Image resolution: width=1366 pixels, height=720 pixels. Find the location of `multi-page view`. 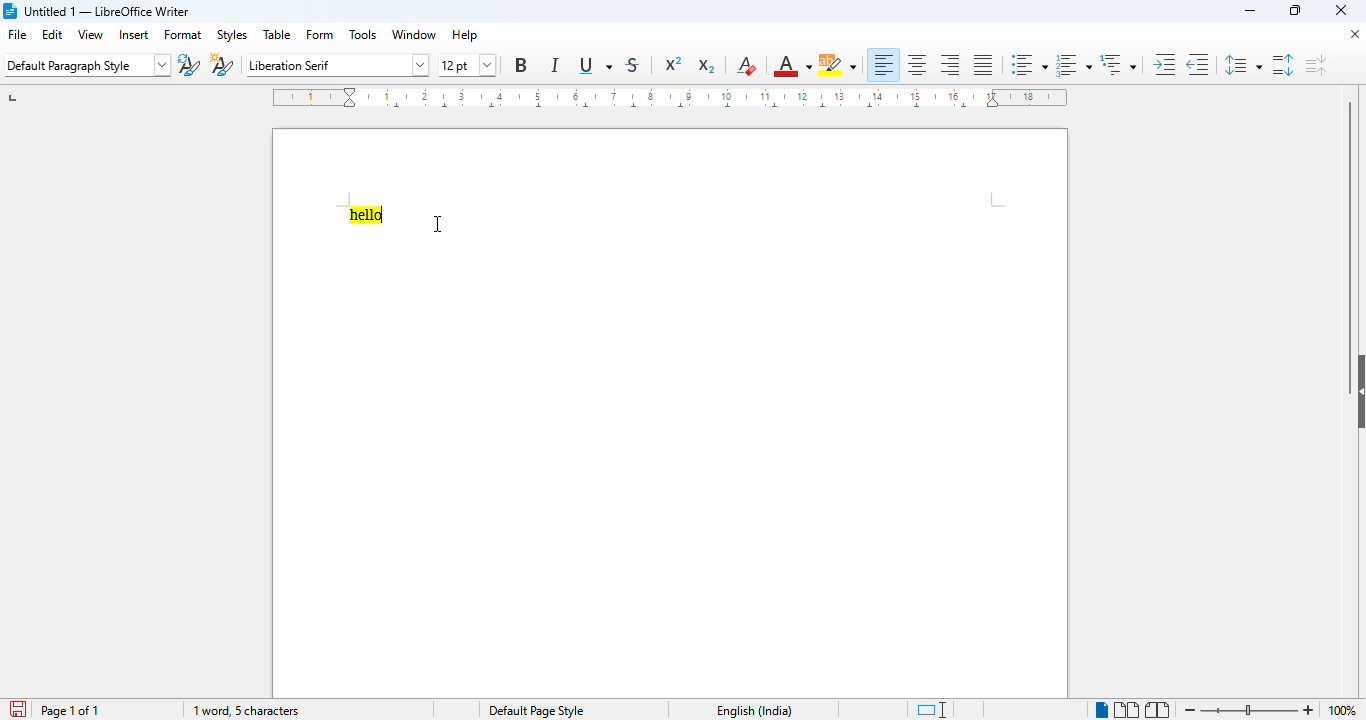

multi-page view is located at coordinates (1125, 709).